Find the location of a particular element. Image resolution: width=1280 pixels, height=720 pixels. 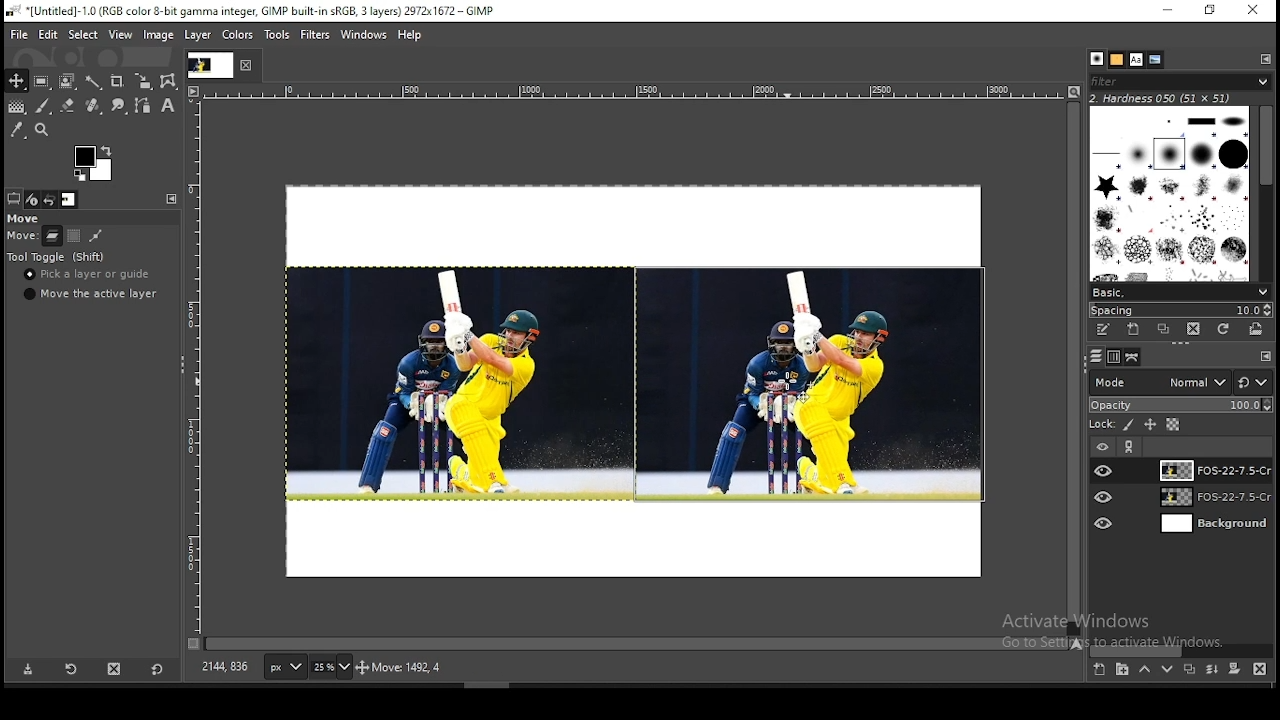

tool is located at coordinates (1131, 447).